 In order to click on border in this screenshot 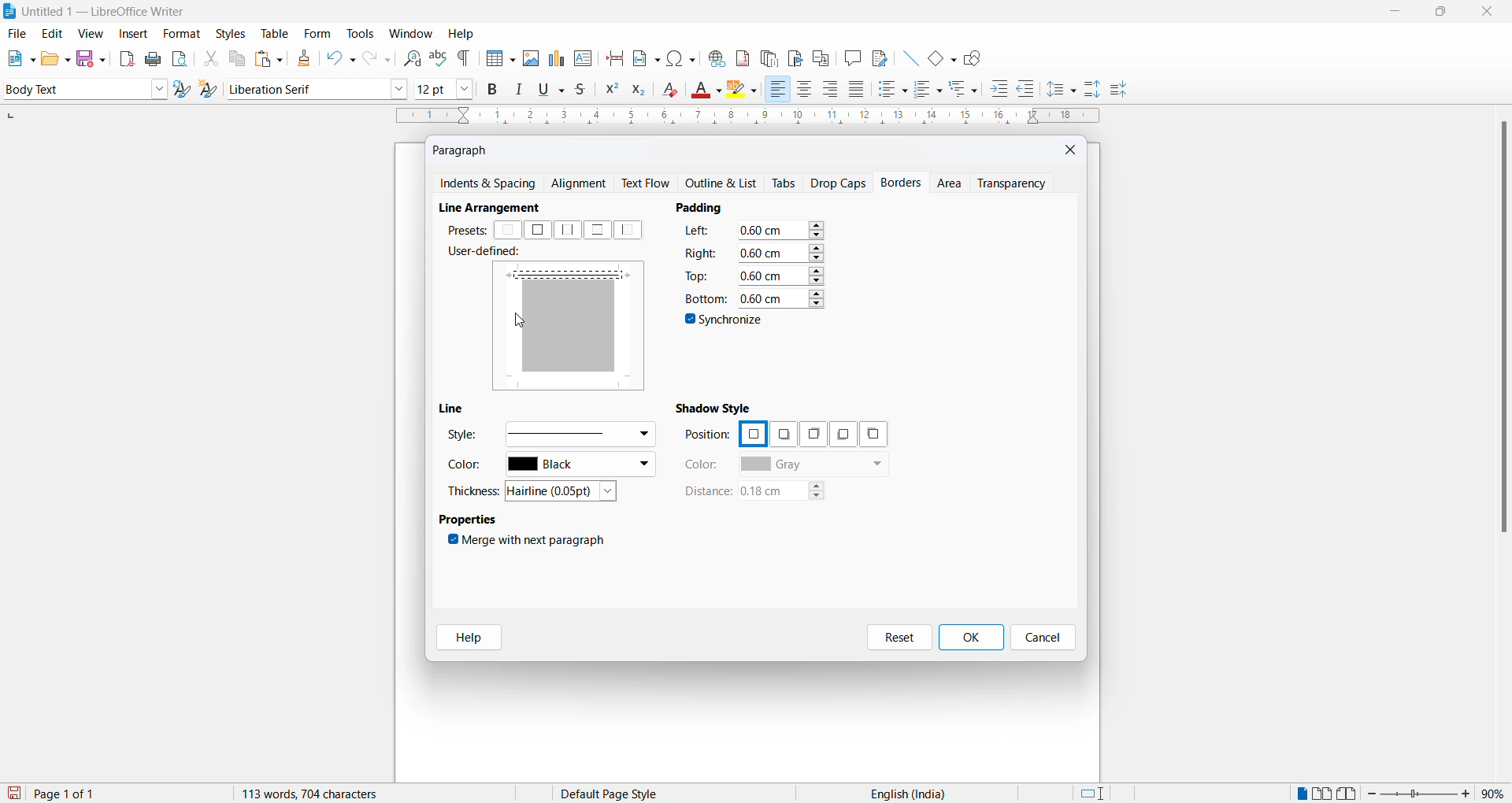, I will do `click(570, 272)`.